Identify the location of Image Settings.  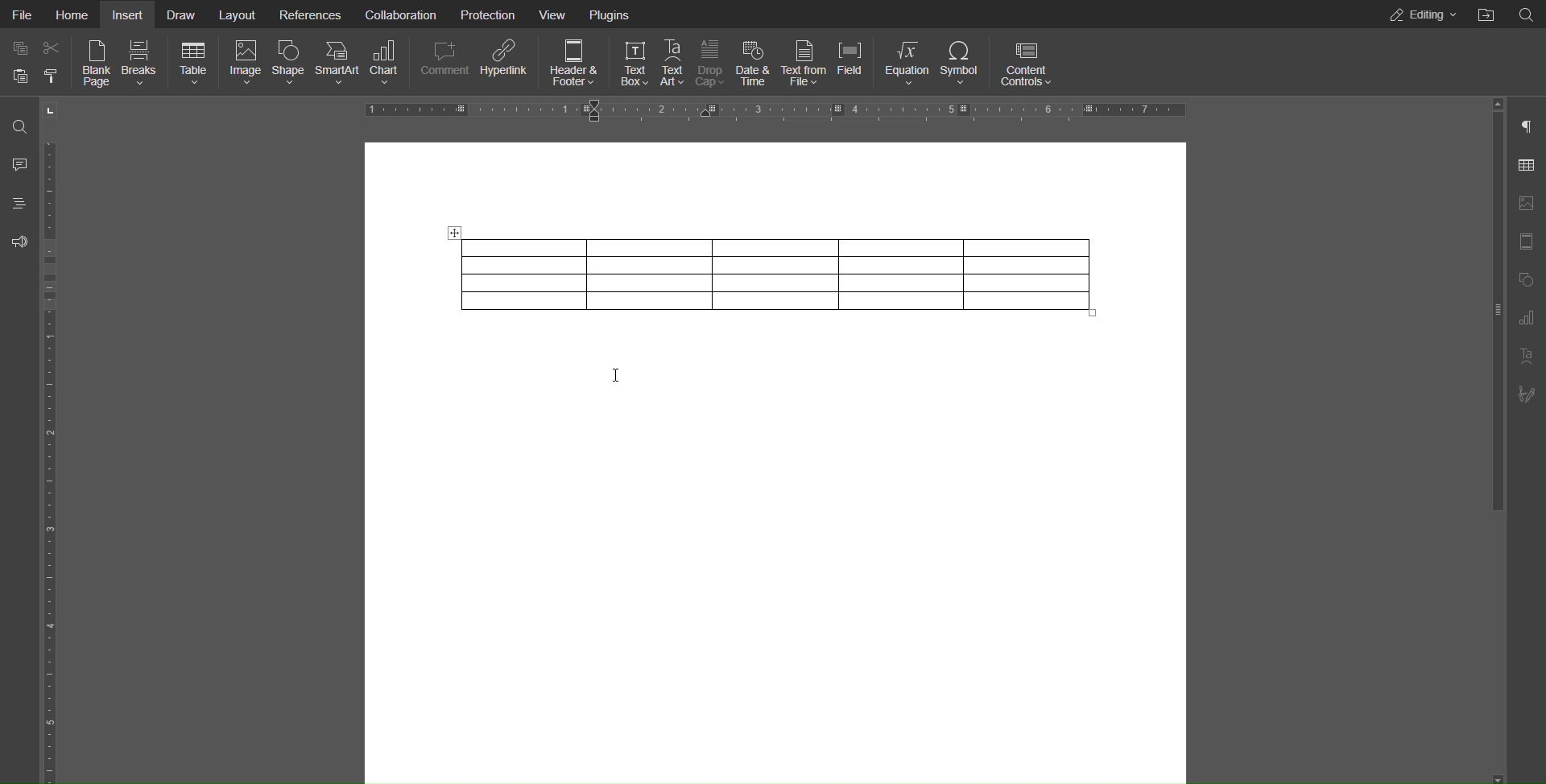
(1526, 204).